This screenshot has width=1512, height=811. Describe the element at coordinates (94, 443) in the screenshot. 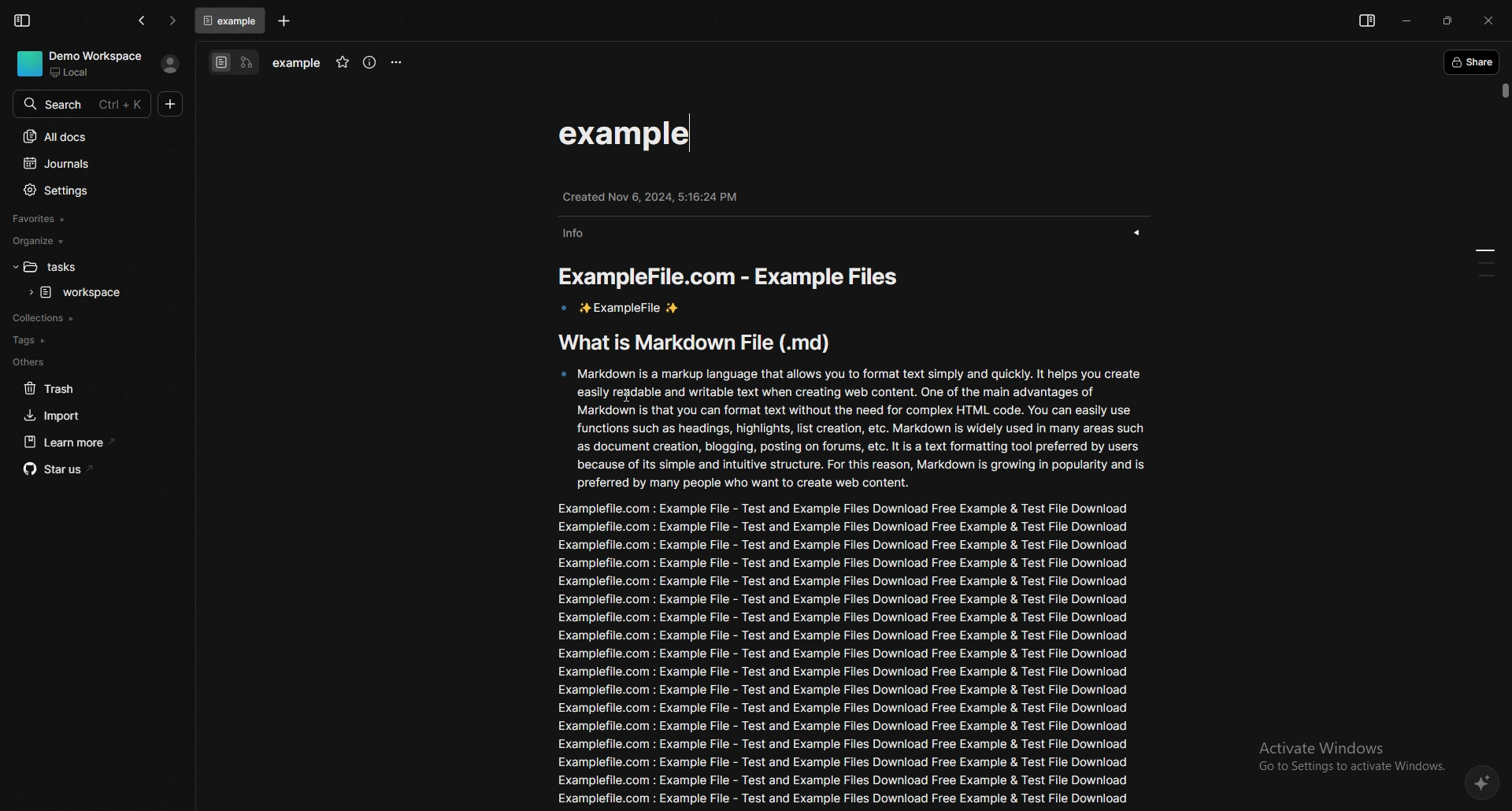

I see `learn more` at that location.